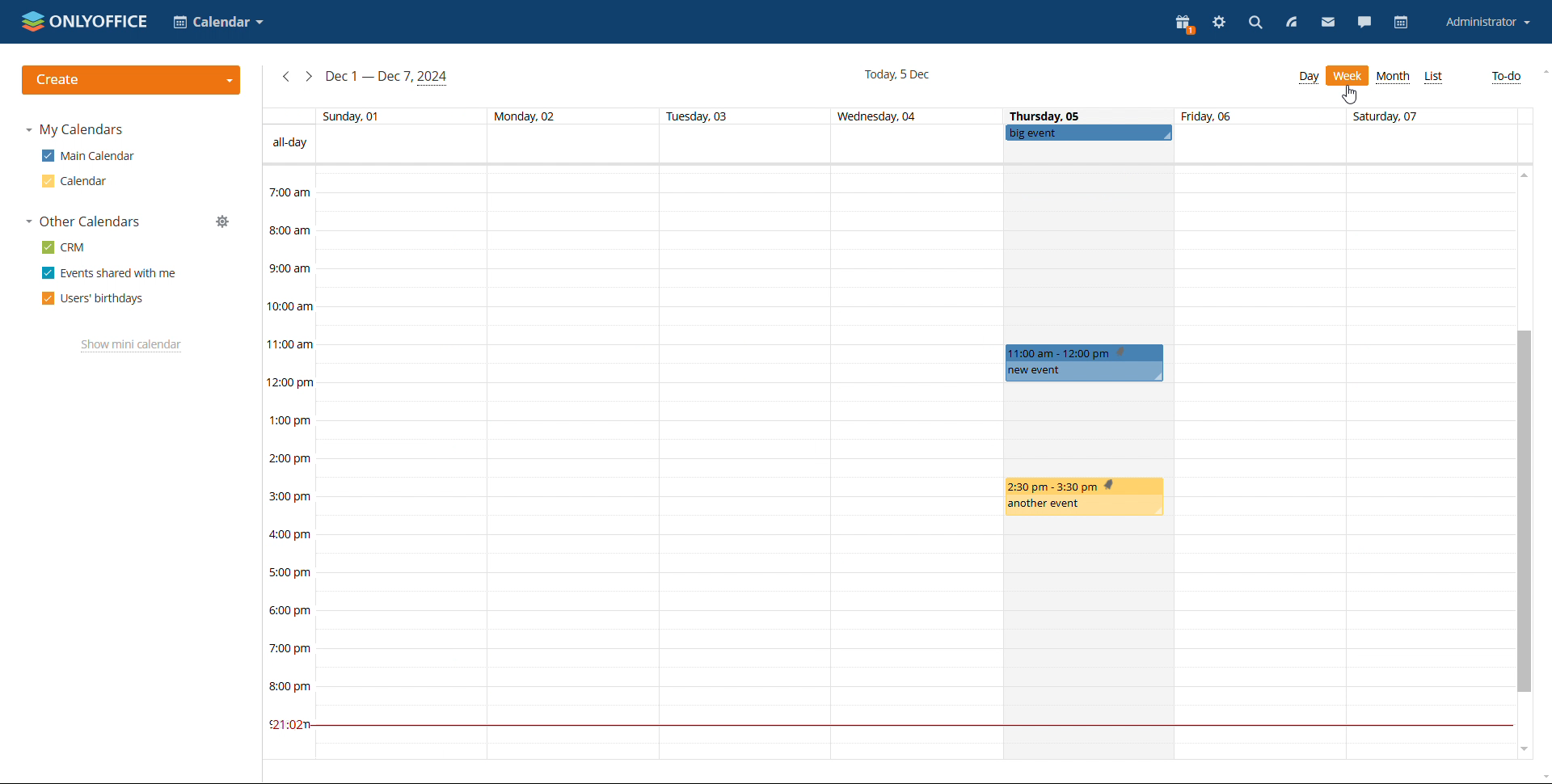 Image resolution: width=1552 pixels, height=784 pixels. Describe the element at coordinates (1084, 499) in the screenshot. I see `2:30pm-3:30pm another event` at that location.